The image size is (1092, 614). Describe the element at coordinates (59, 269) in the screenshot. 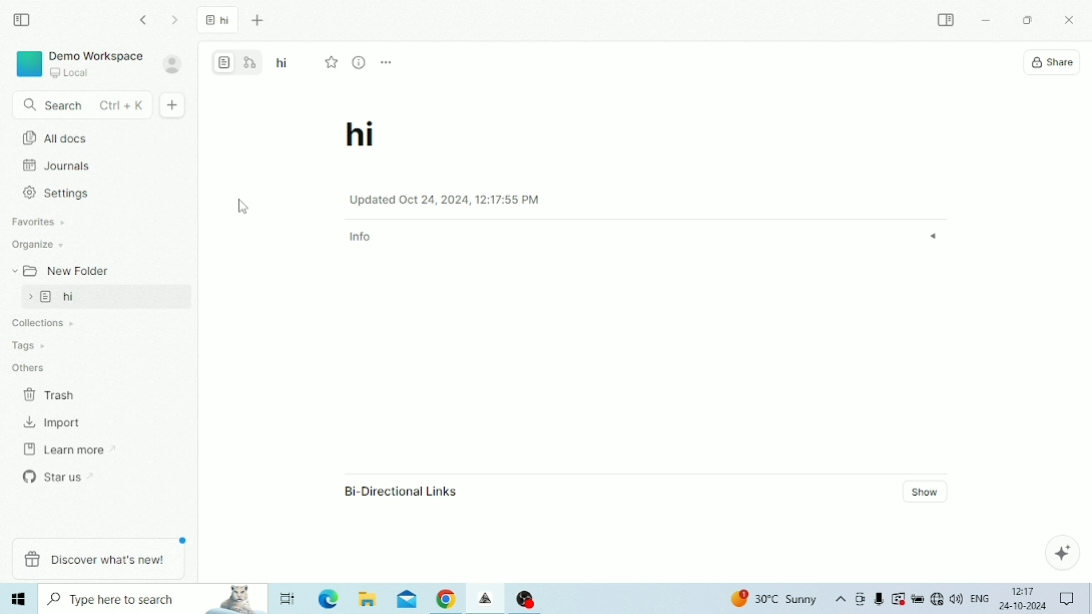

I see `New Folder` at that location.